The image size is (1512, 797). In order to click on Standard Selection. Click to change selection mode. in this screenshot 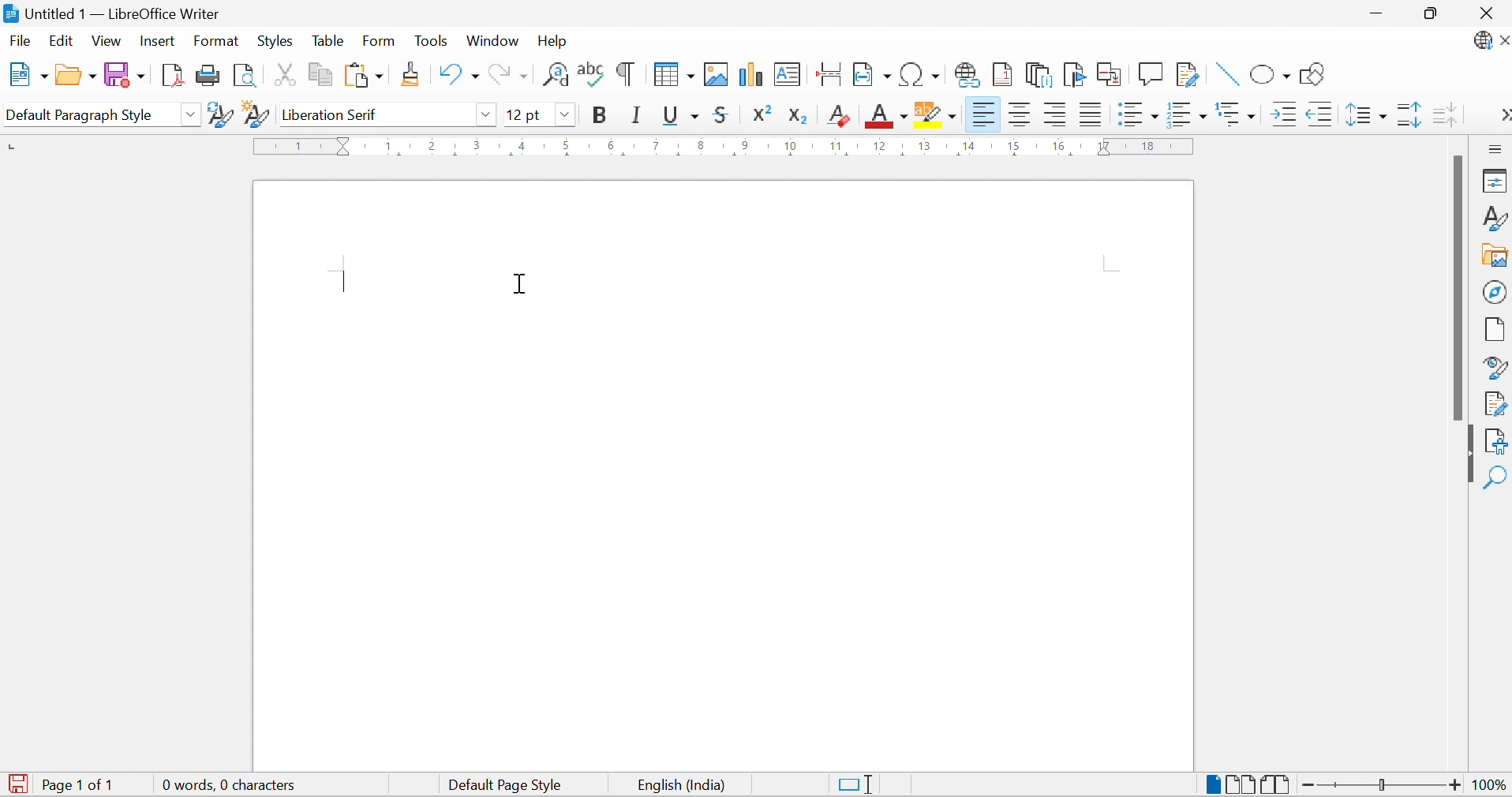, I will do `click(859, 784)`.